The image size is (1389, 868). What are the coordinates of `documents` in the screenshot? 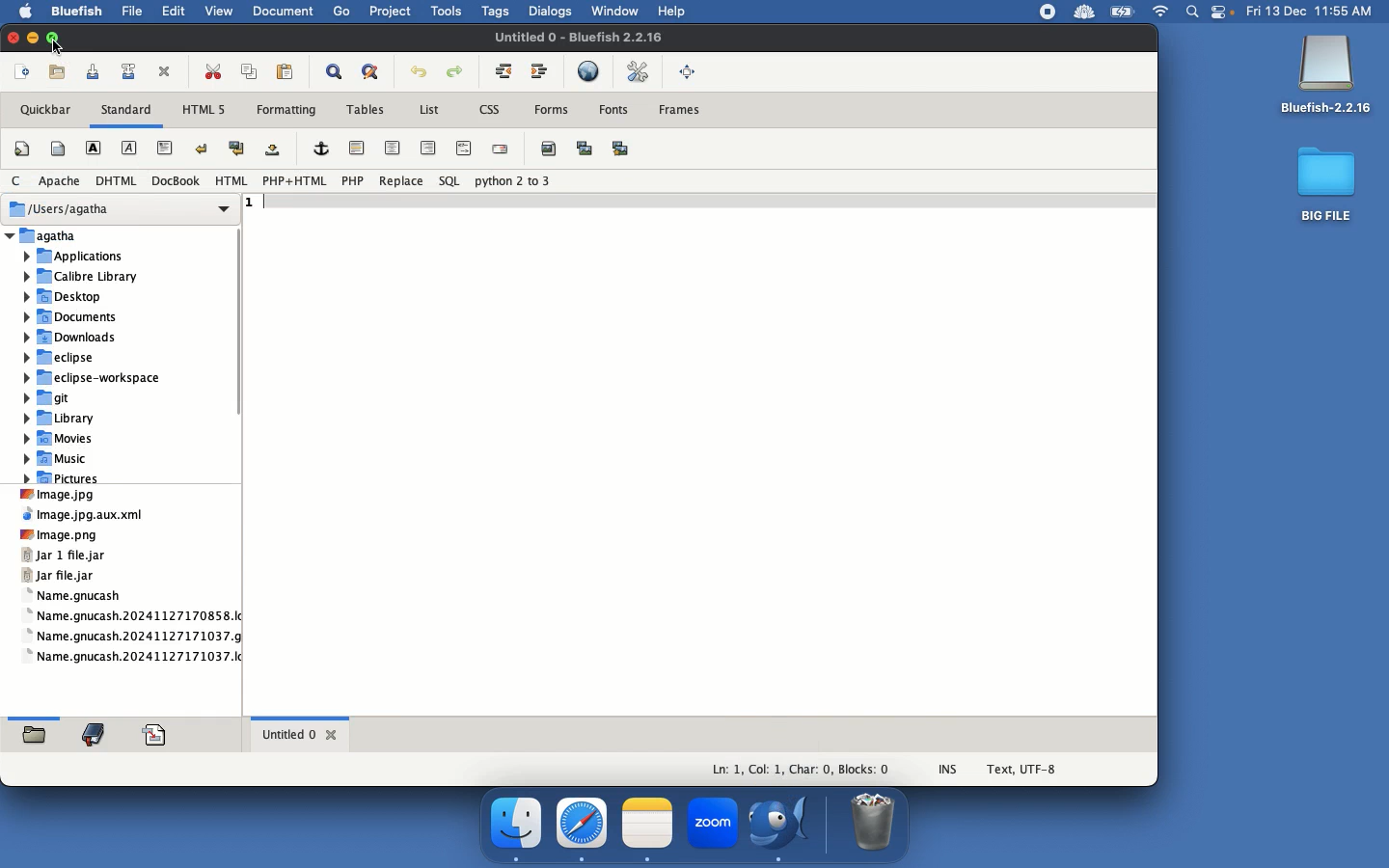 It's located at (76, 316).